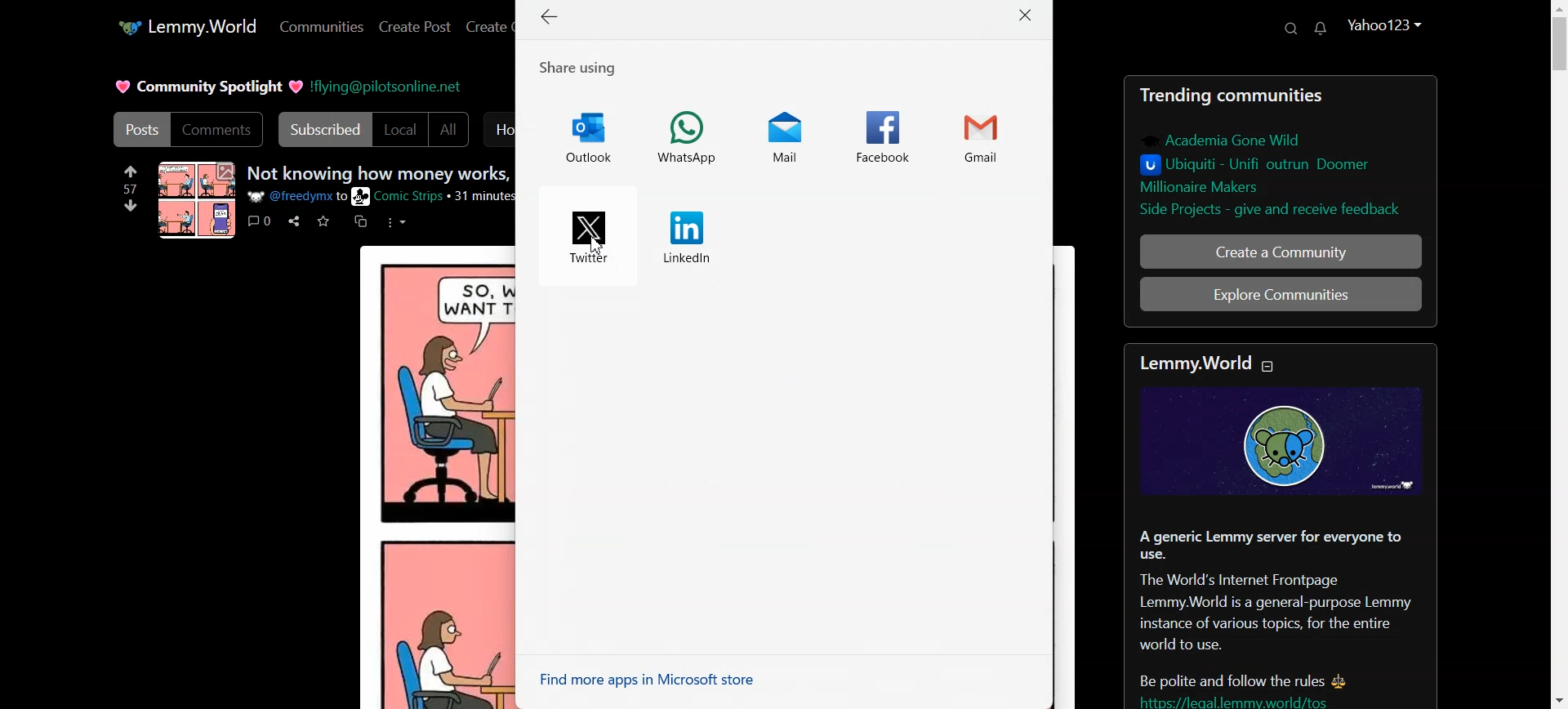 The height and width of the screenshot is (709, 1568). What do you see at coordinates (1028, 17) in the screenshot?
I see `Close` at bounding box center [1028, 17].